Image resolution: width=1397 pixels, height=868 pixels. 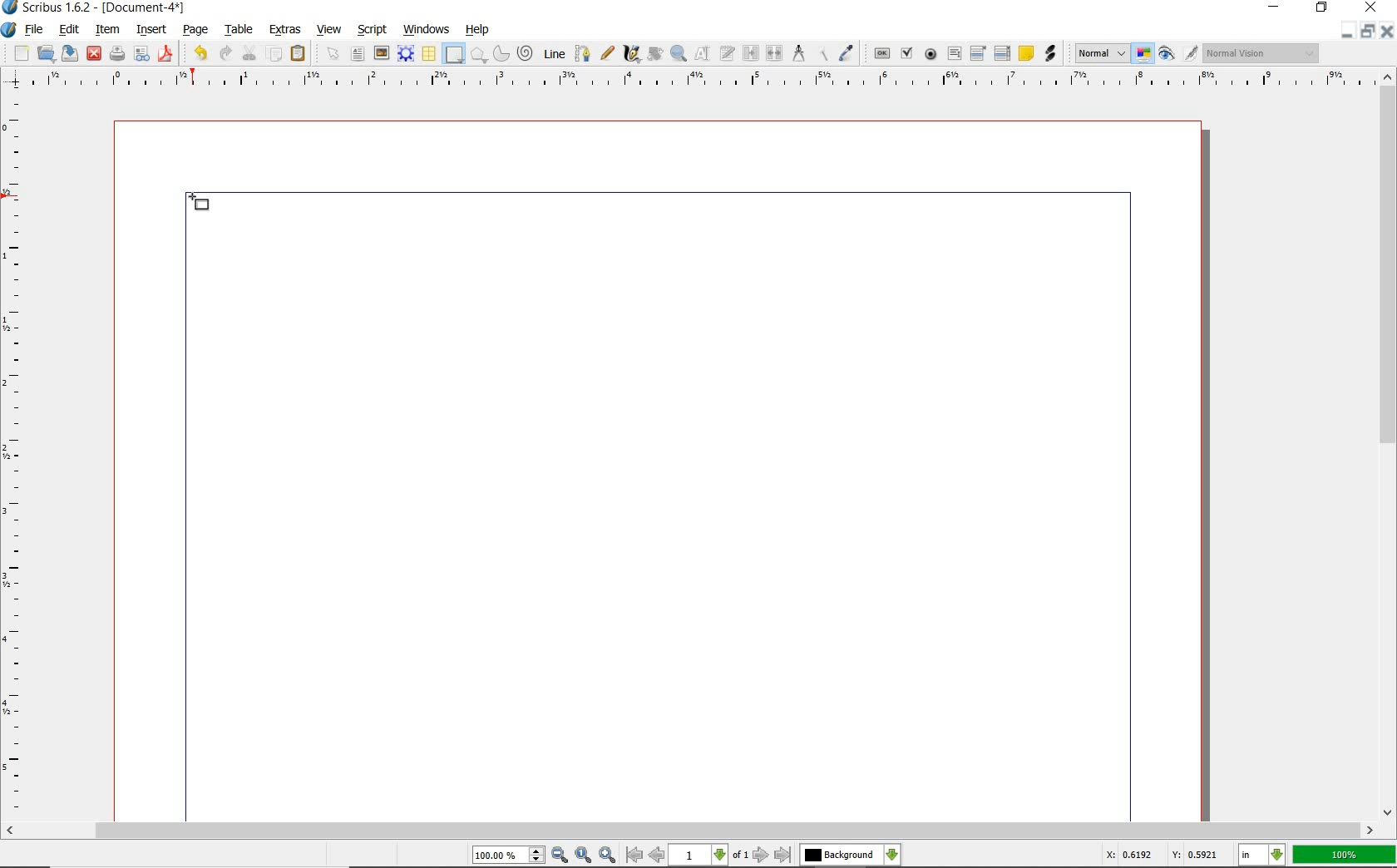 What do you see at coordinates (16, 53) in the screenshot?
I see `new` at bounding box center [16, 53].